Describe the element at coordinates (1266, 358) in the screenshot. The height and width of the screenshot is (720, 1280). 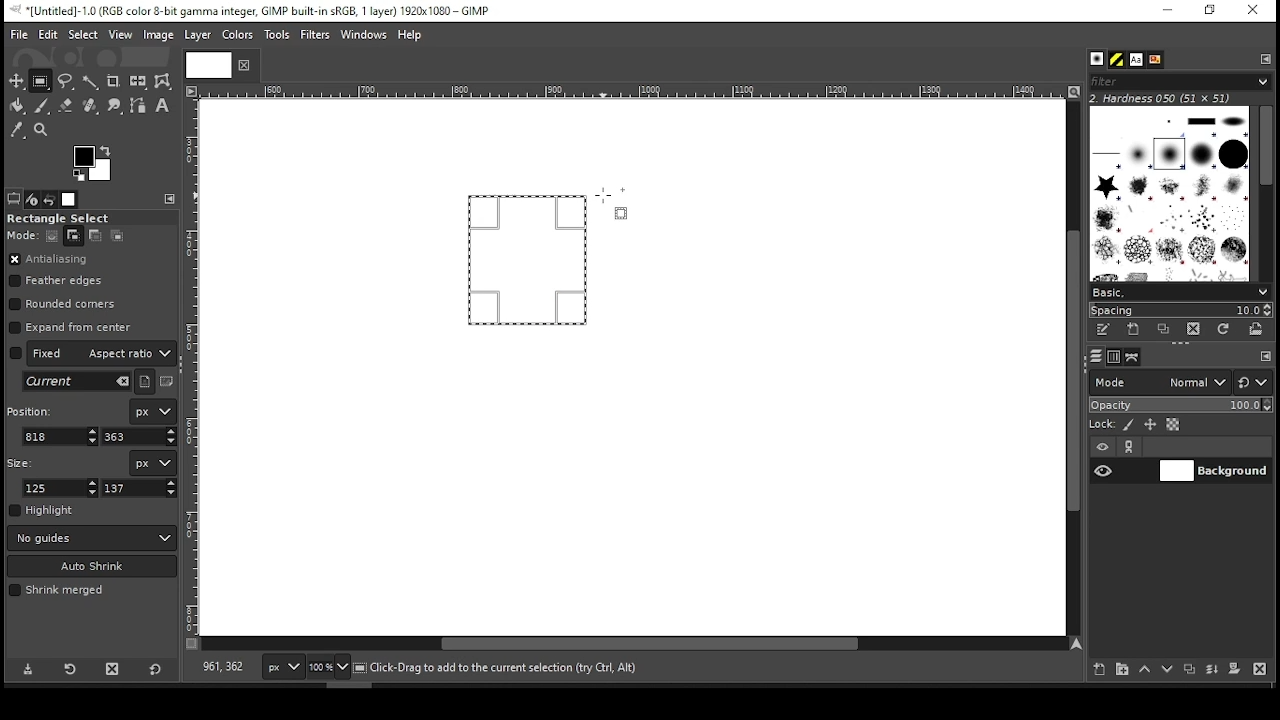
I see `configure this tab` at that location.